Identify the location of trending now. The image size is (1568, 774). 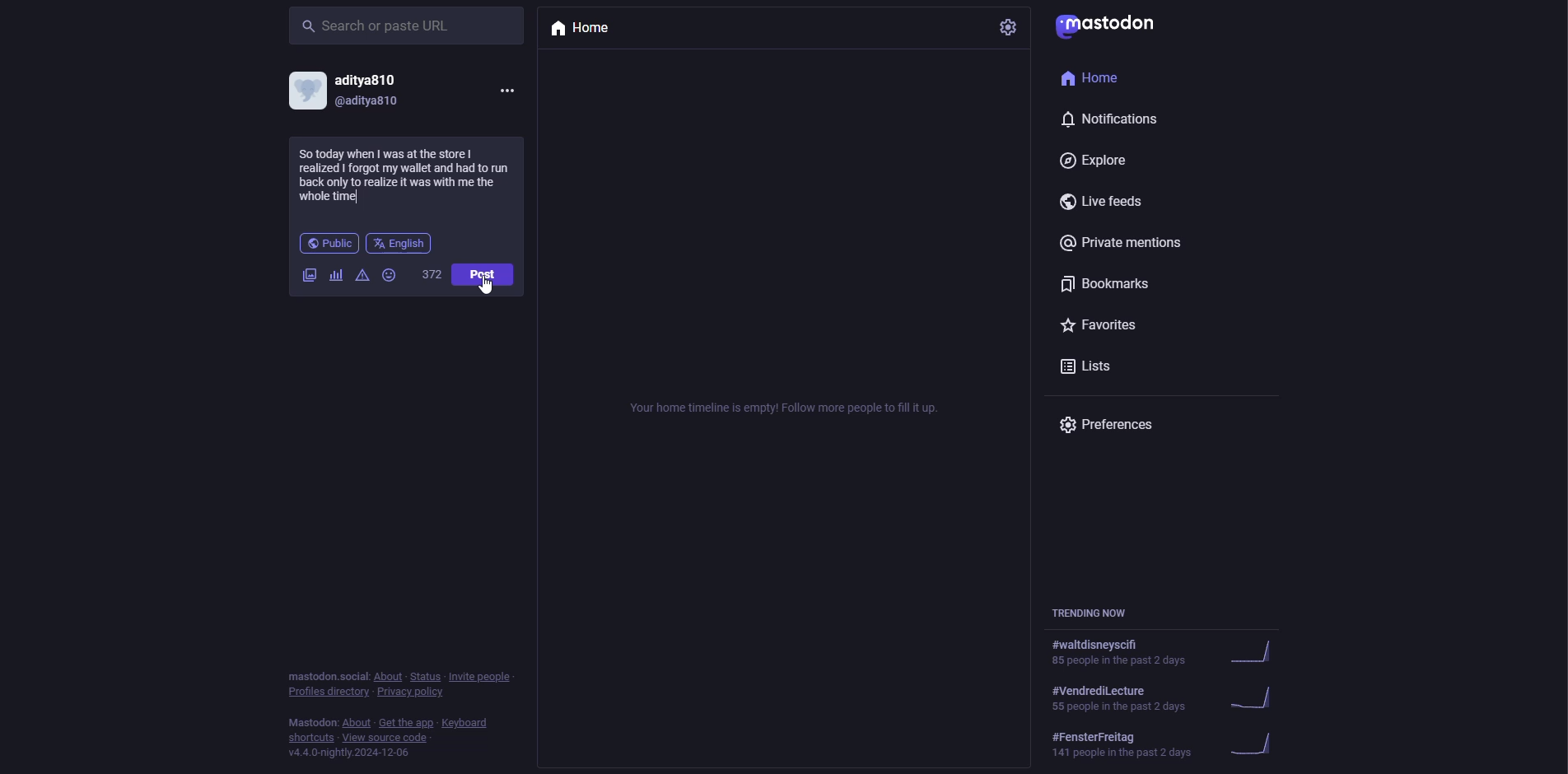
(1092, 613).